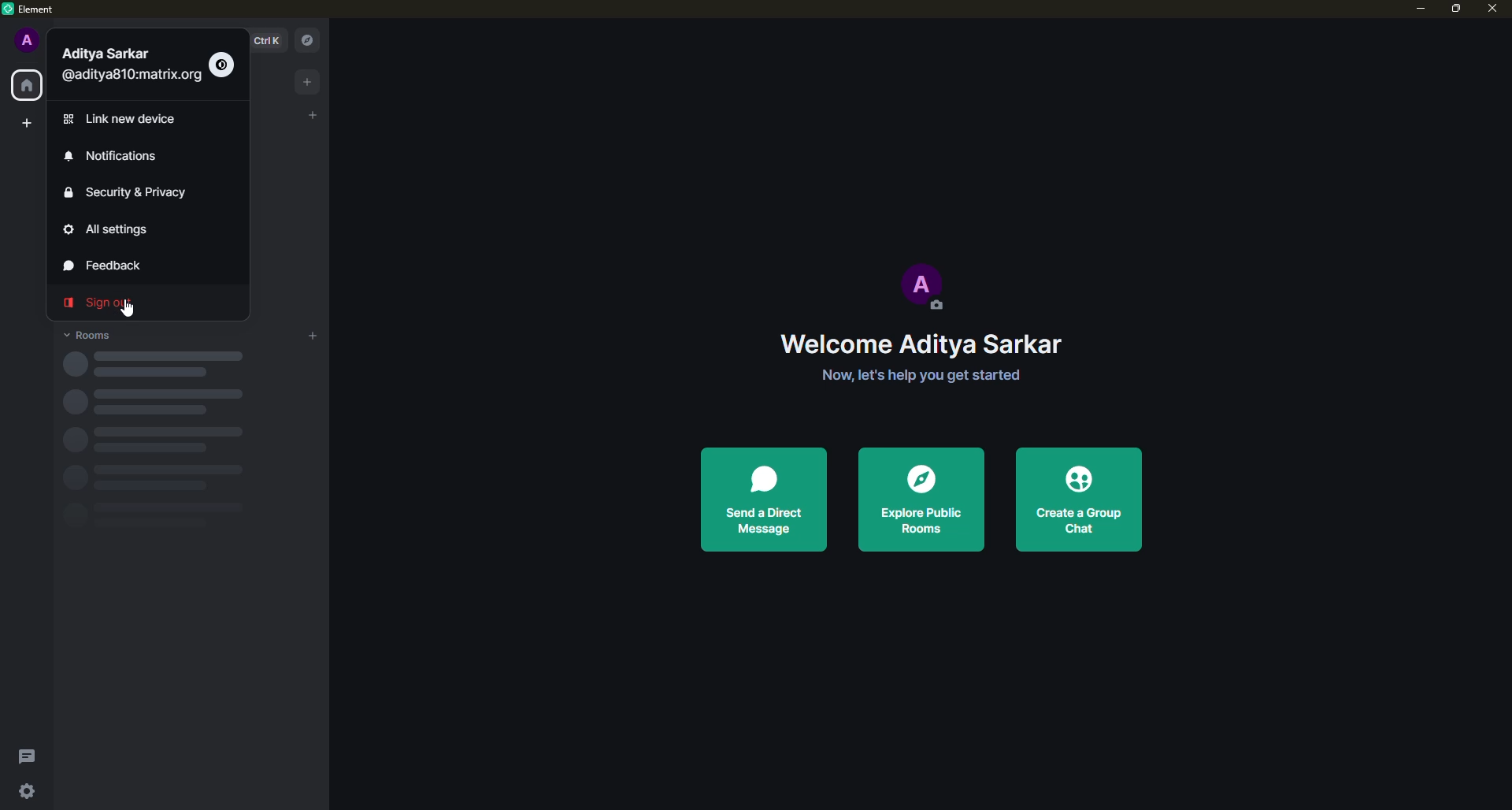 The height and width of the screenshot is (810, 1512). Describe the element at coordinates (926, 375) in the screenshot. I see `Now, let's help you get started` at that location.